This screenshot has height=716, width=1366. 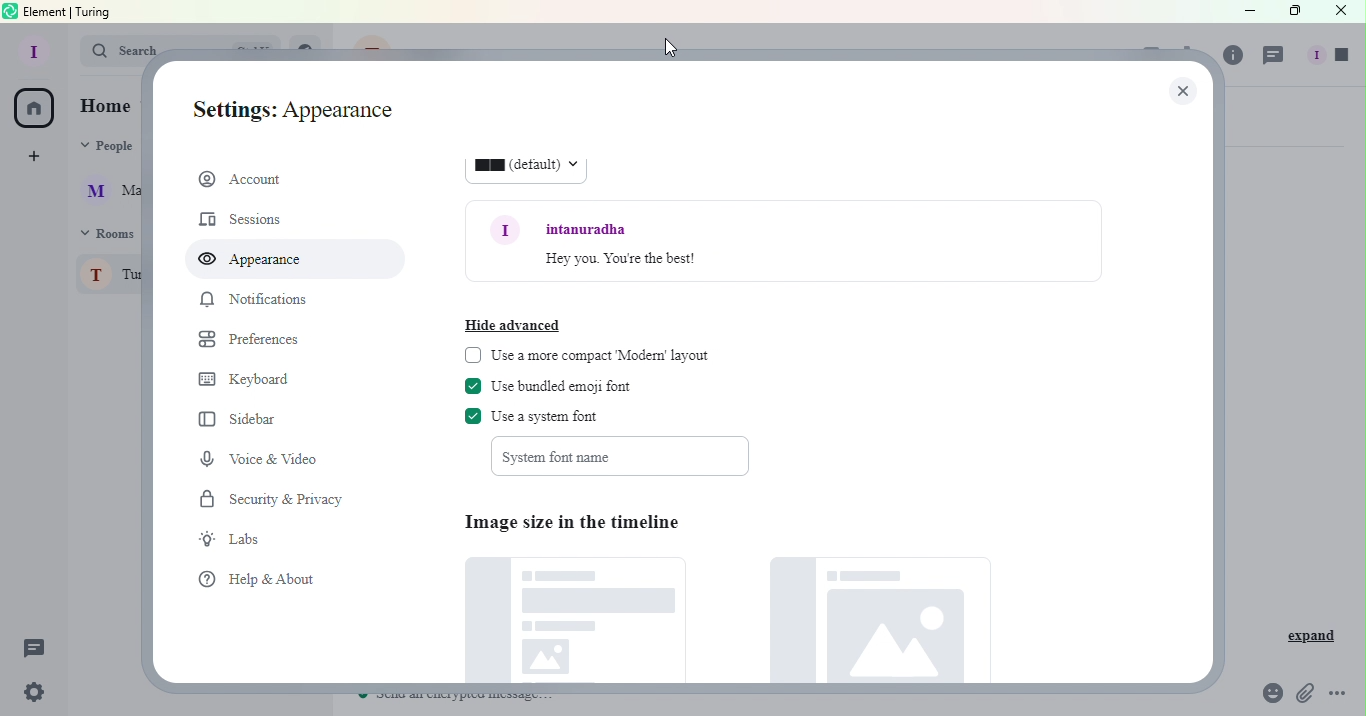 I want to click on Attachment, so click(x=1306, y=695).